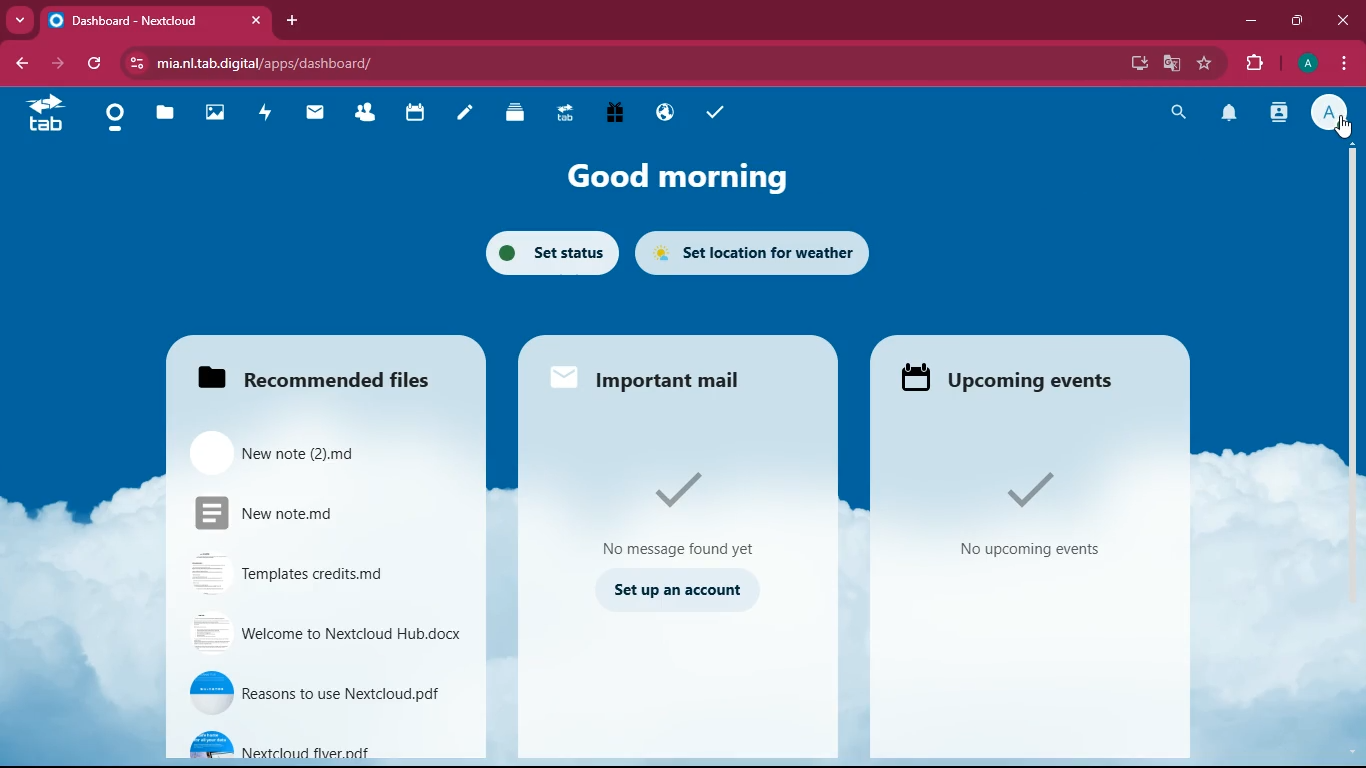 The height and width of the screenshot is (768, 1366). Describe the element at coordinates (1351, 320) in the screenshot. I see `vertical scrollbar` at that location.